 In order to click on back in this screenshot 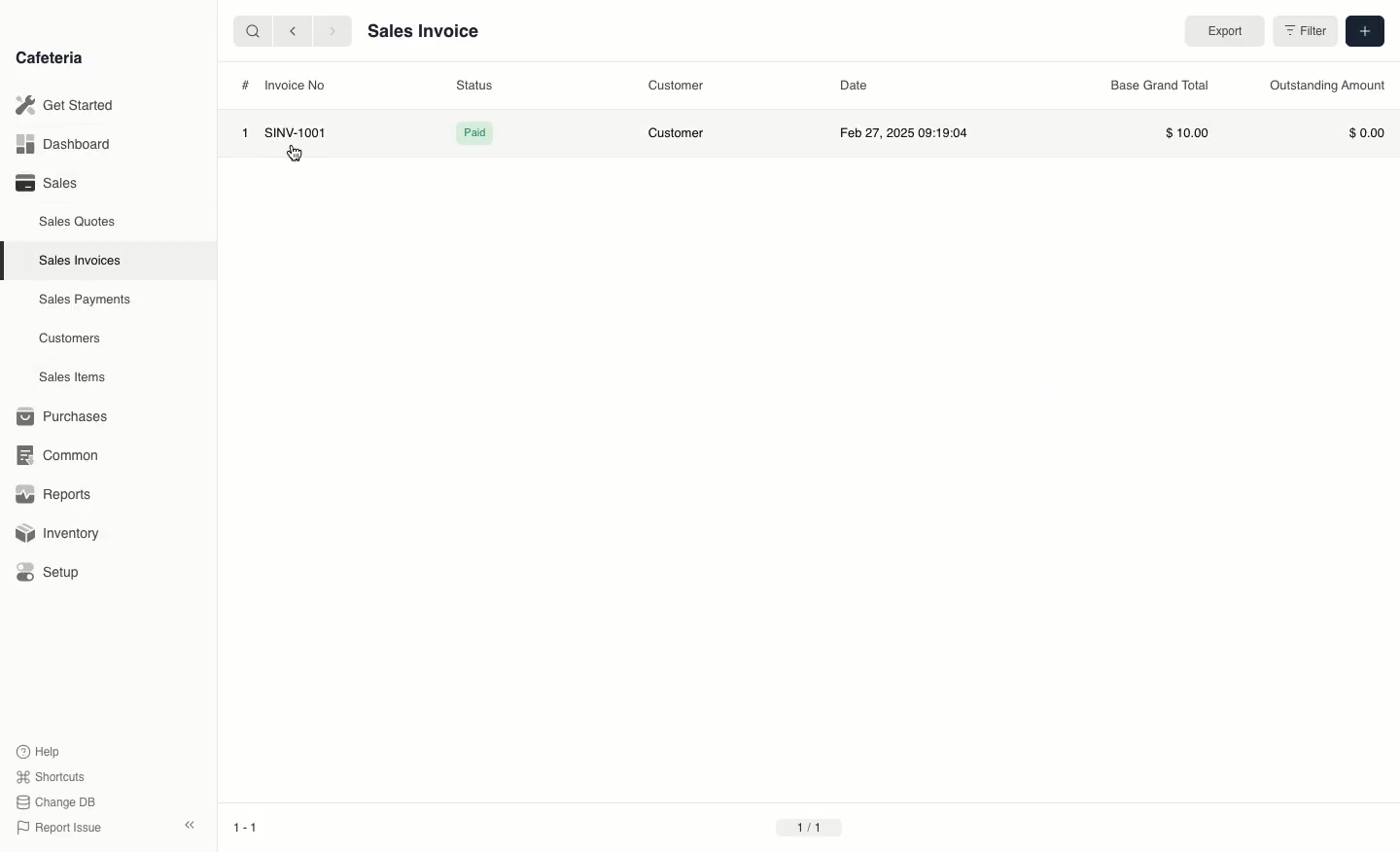, I will do `click(296, 31)`.